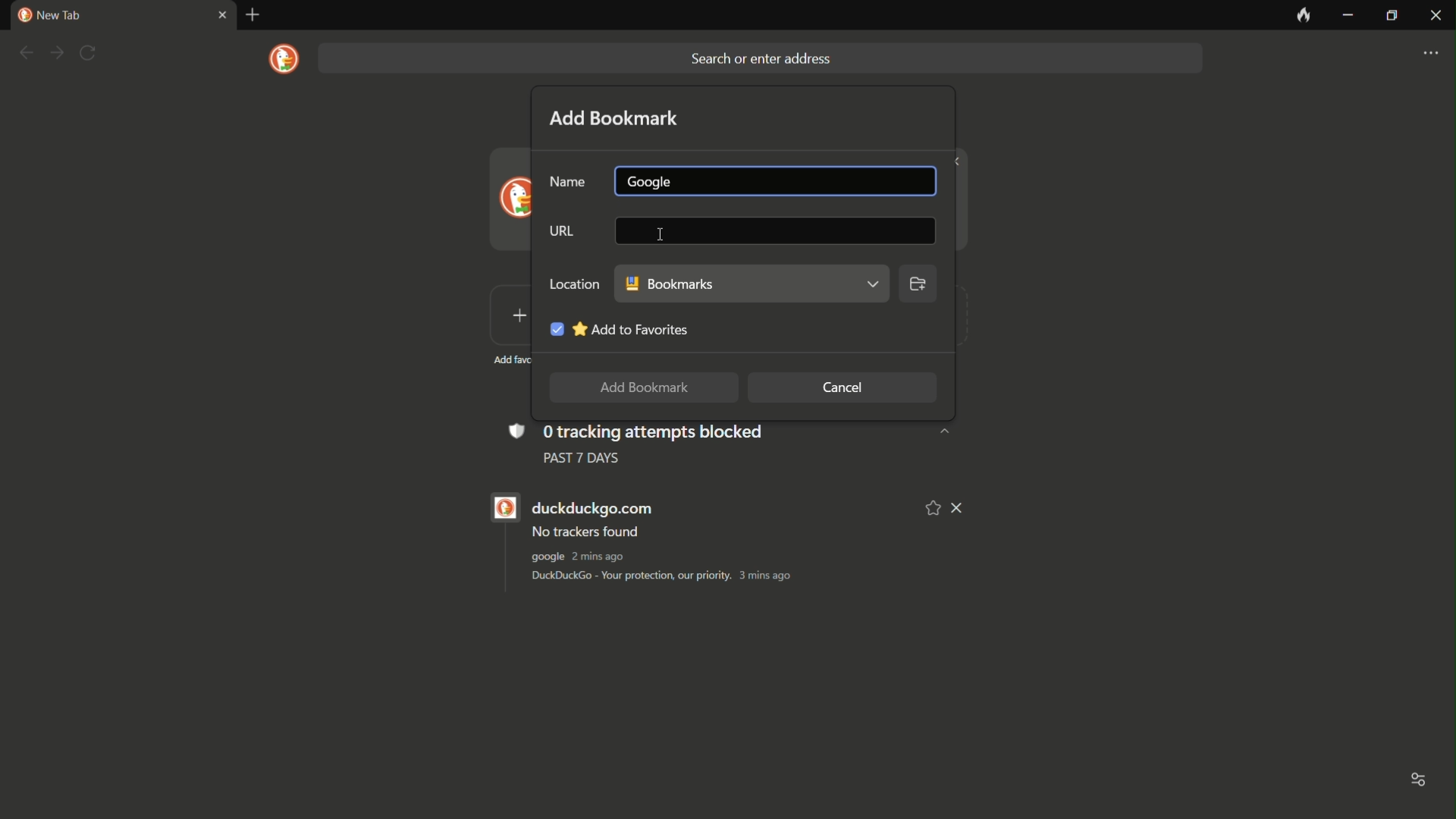 This screenshot has height=819, width=1456. Describe the element at coordinates (568, 183) in the screenshot. I see `name` at that location.